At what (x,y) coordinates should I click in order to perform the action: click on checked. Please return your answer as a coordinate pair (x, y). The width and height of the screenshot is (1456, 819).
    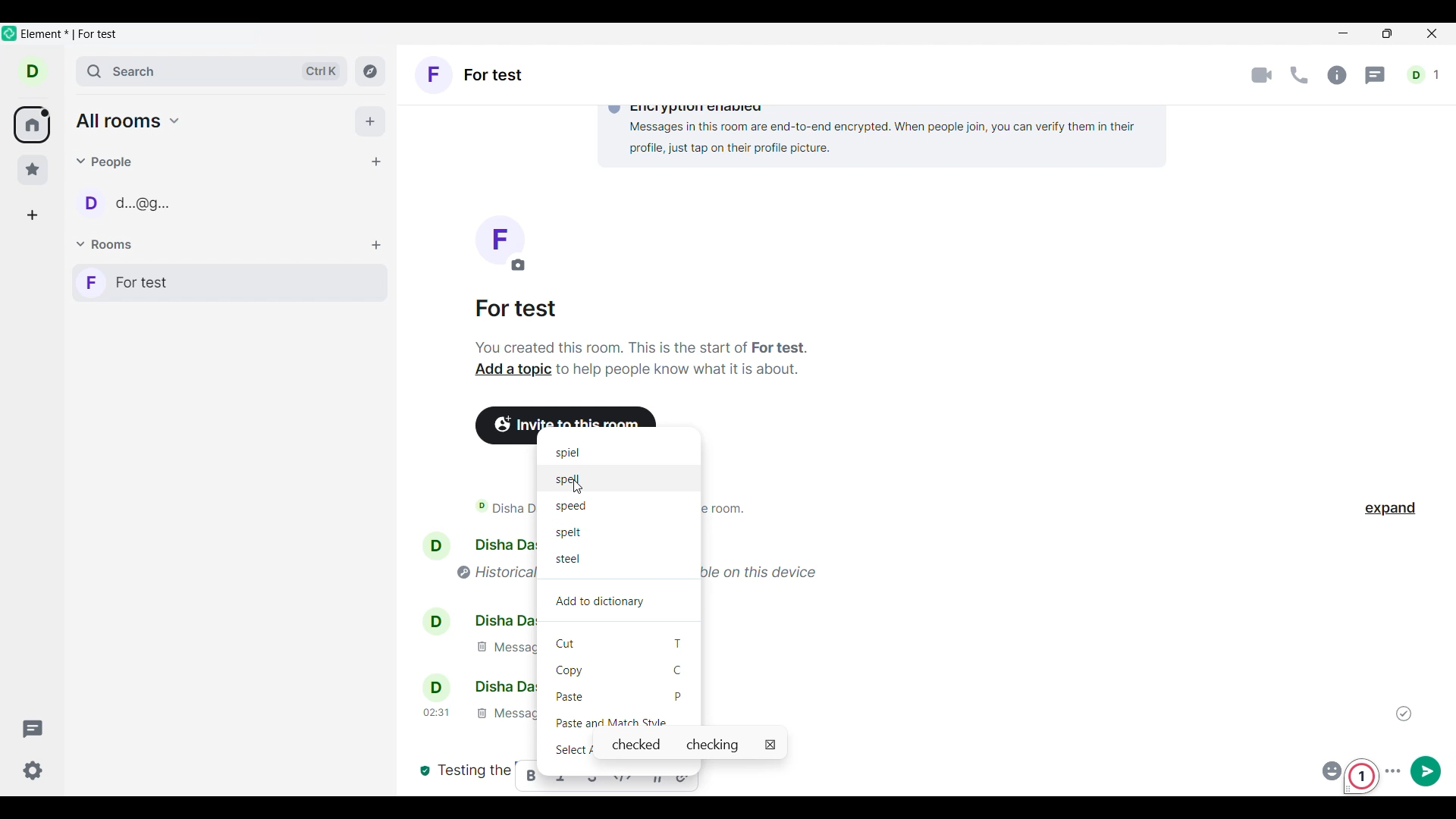
    Looking at the image, I should click on (635, 745).